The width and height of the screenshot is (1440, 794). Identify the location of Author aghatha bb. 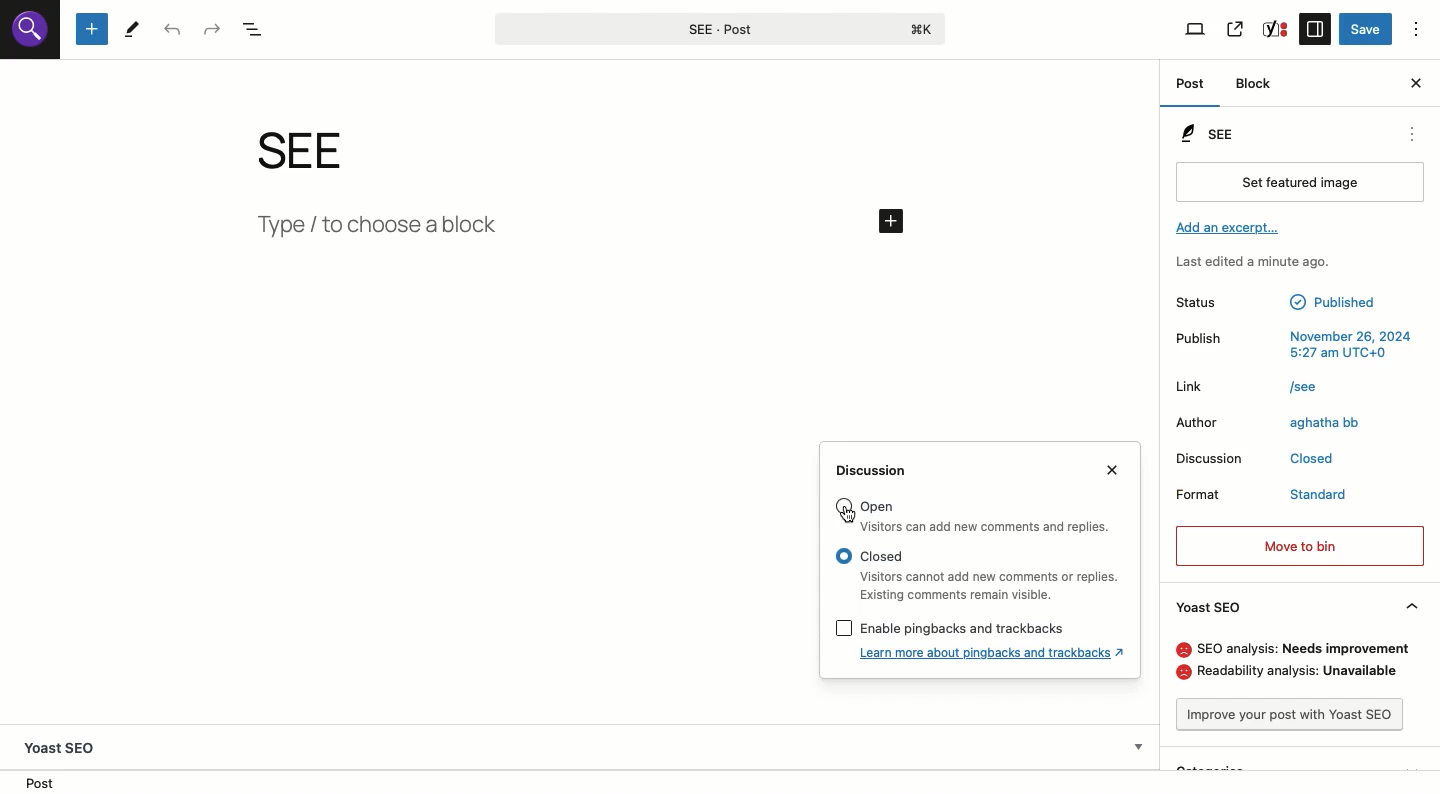
(1278, 426).